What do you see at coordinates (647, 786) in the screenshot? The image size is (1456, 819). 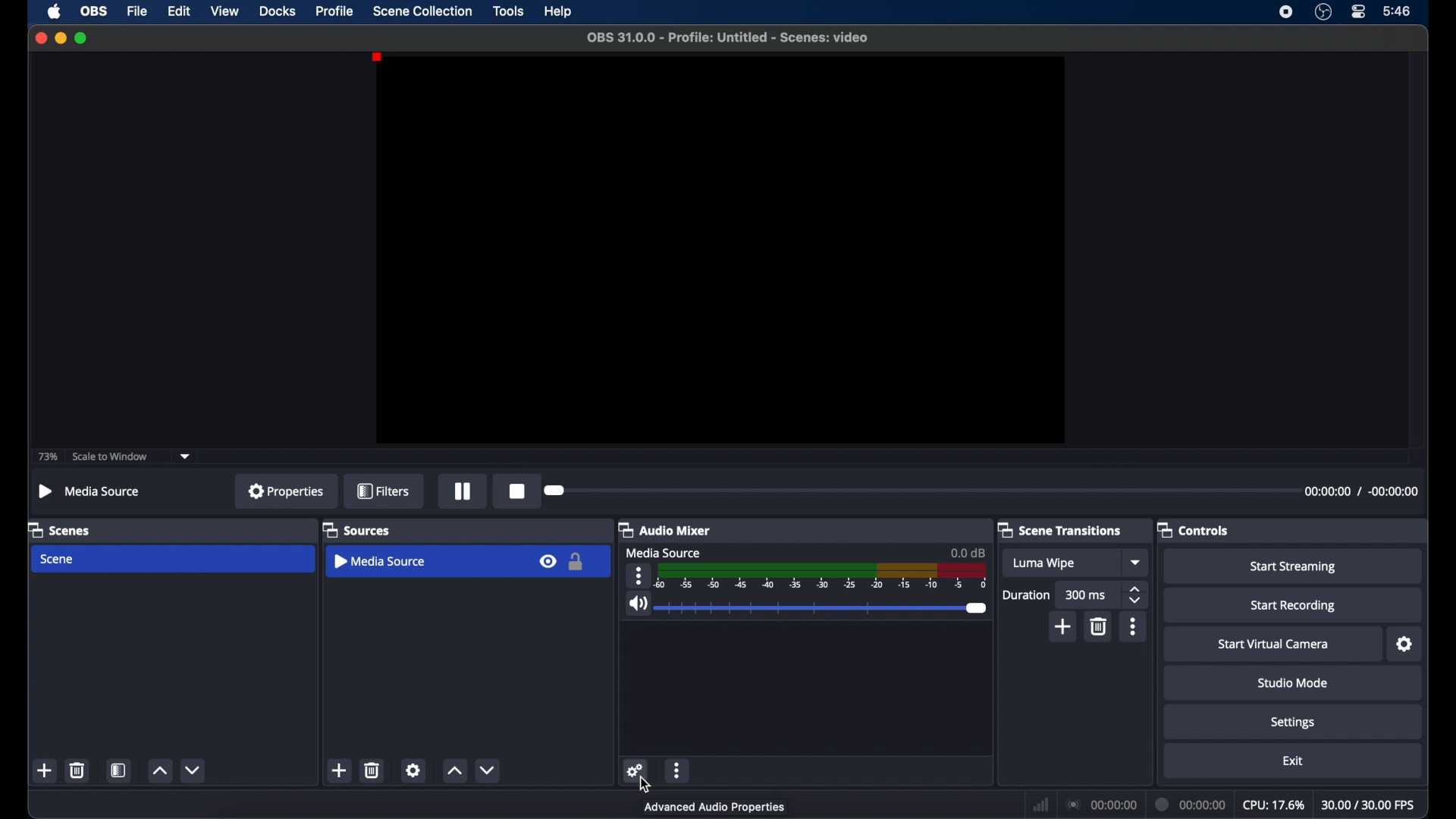 I see `cursor` at bounding box center [647, 786].